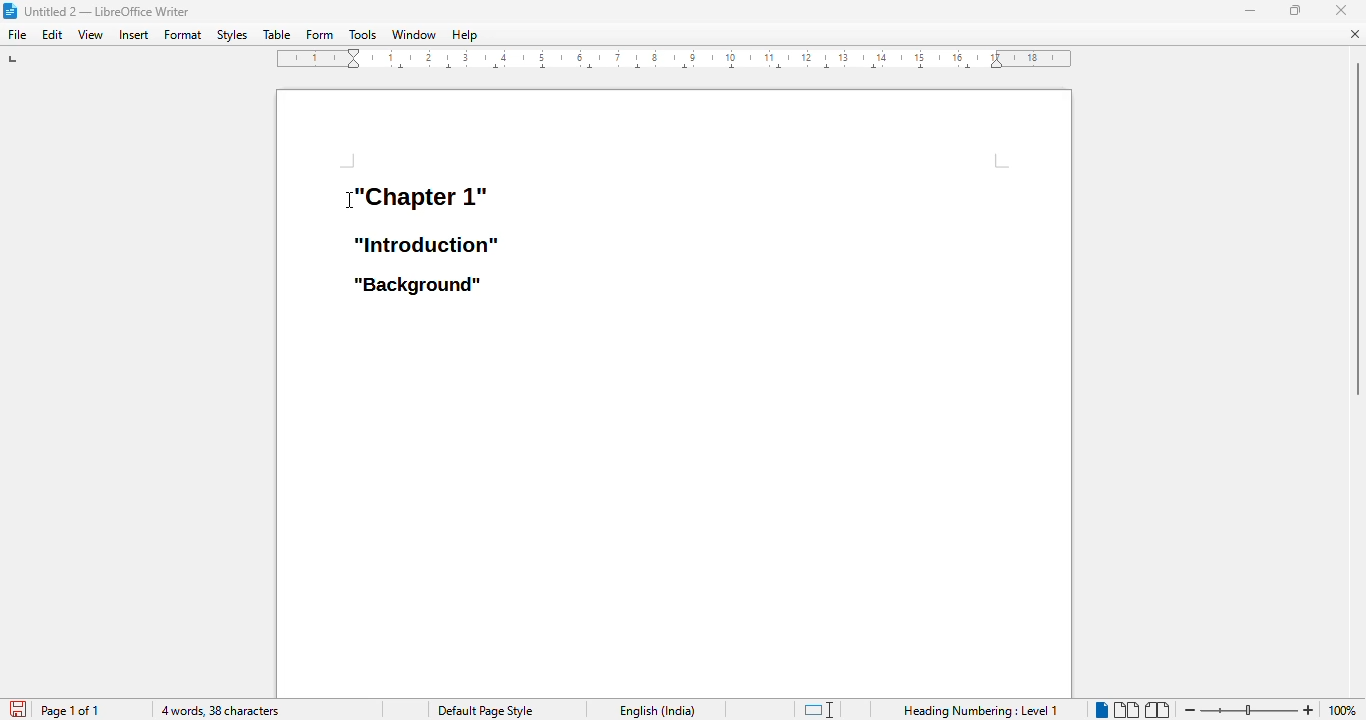 The width and height of the screenshot is (1366, 720). I want to click on heading numbering: level 1, so click(981, 711).